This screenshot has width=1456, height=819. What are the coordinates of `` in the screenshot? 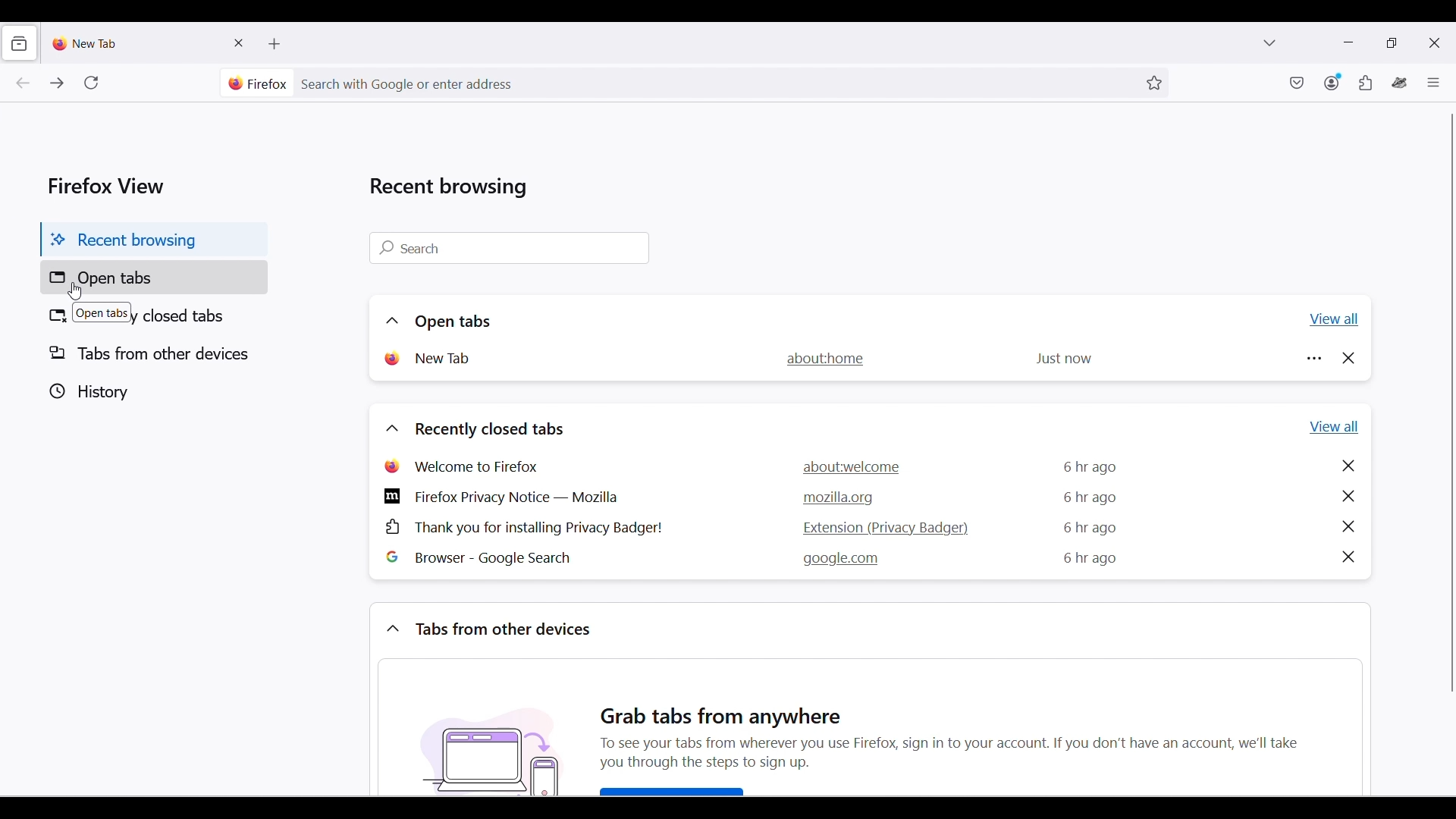 It's located at (726, 711).